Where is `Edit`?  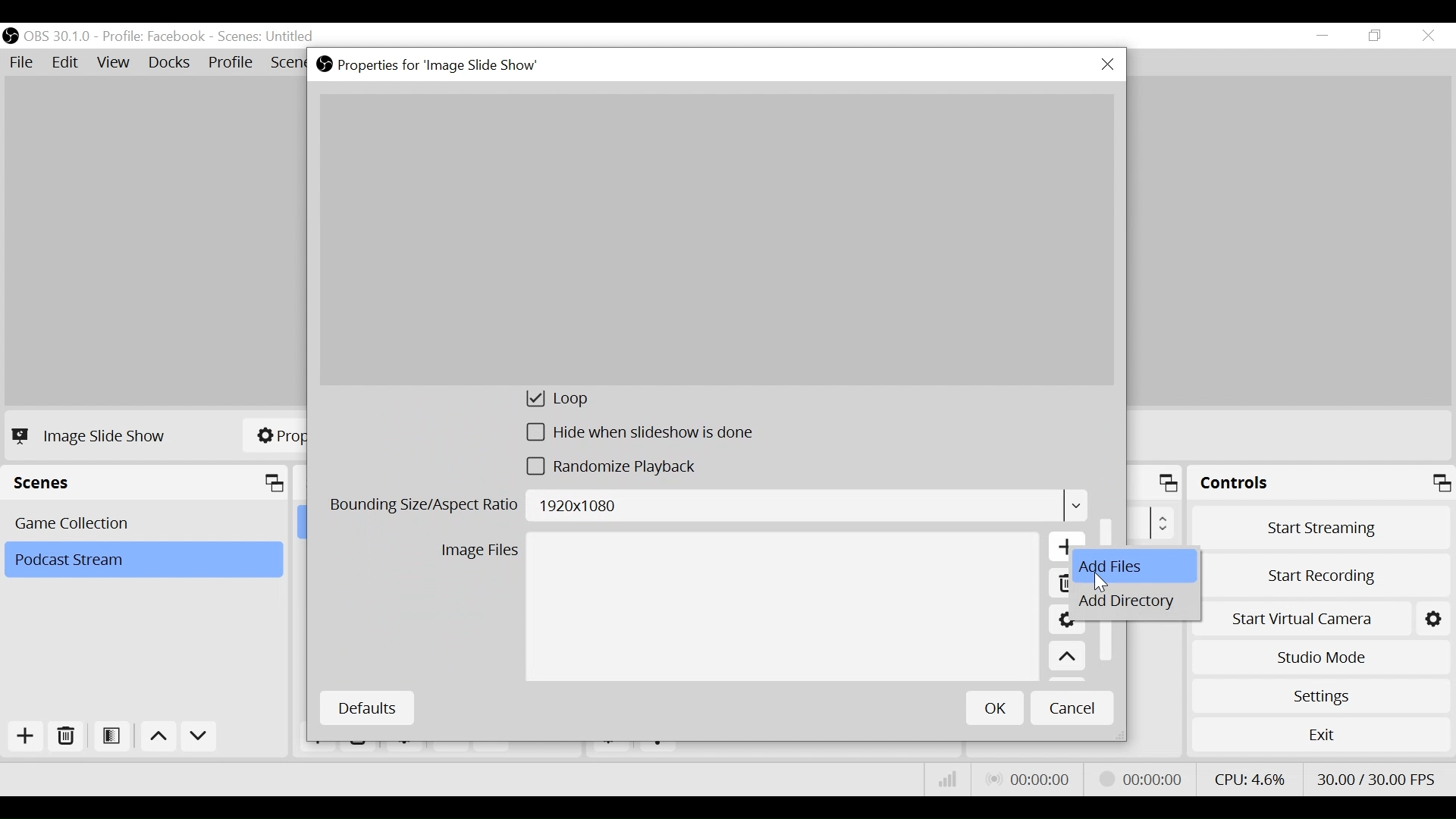
Edit is located at coordinates (67, 63).